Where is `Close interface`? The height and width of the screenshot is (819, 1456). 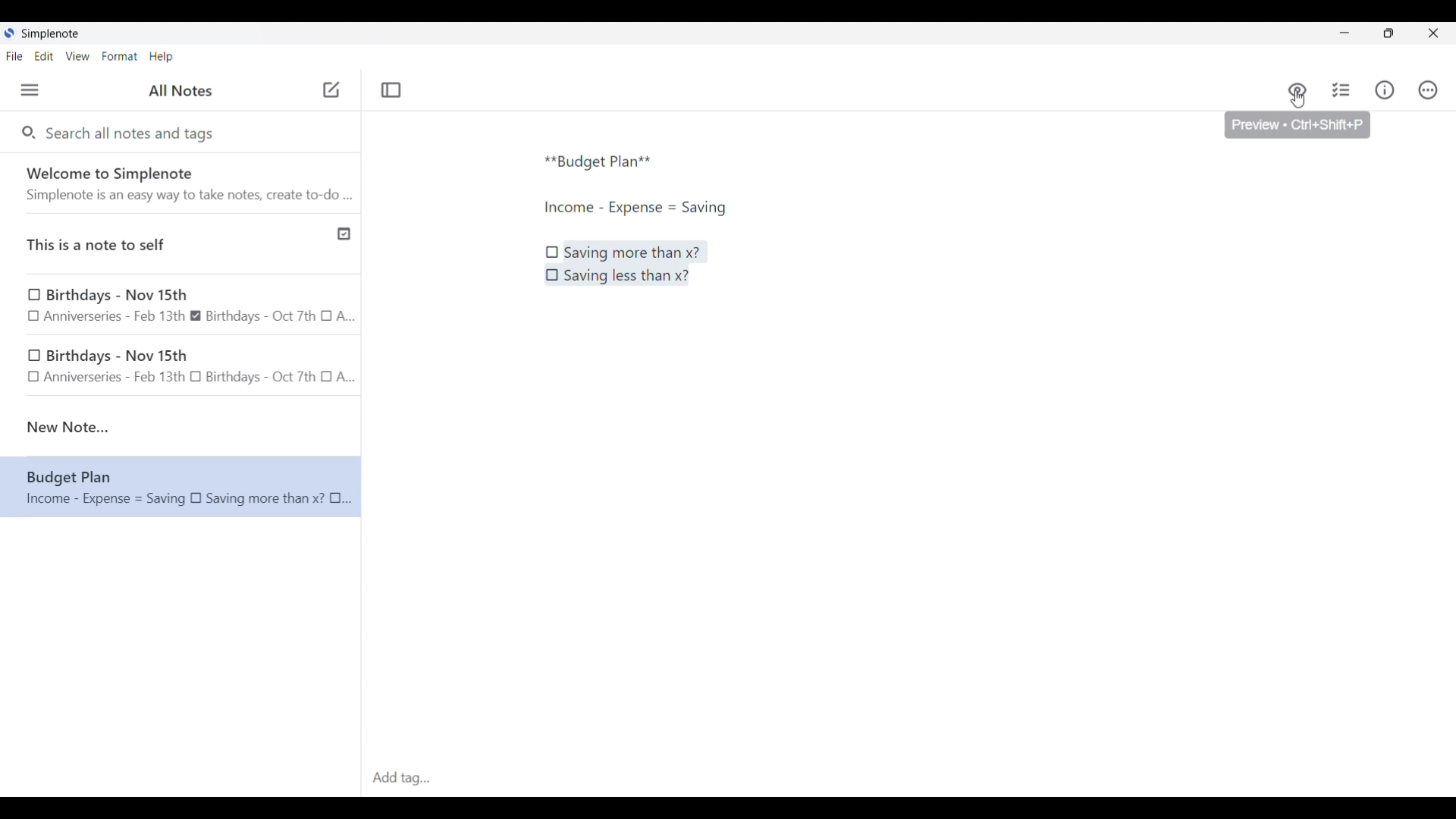 Close interface is located at coordinates (1433, 33).